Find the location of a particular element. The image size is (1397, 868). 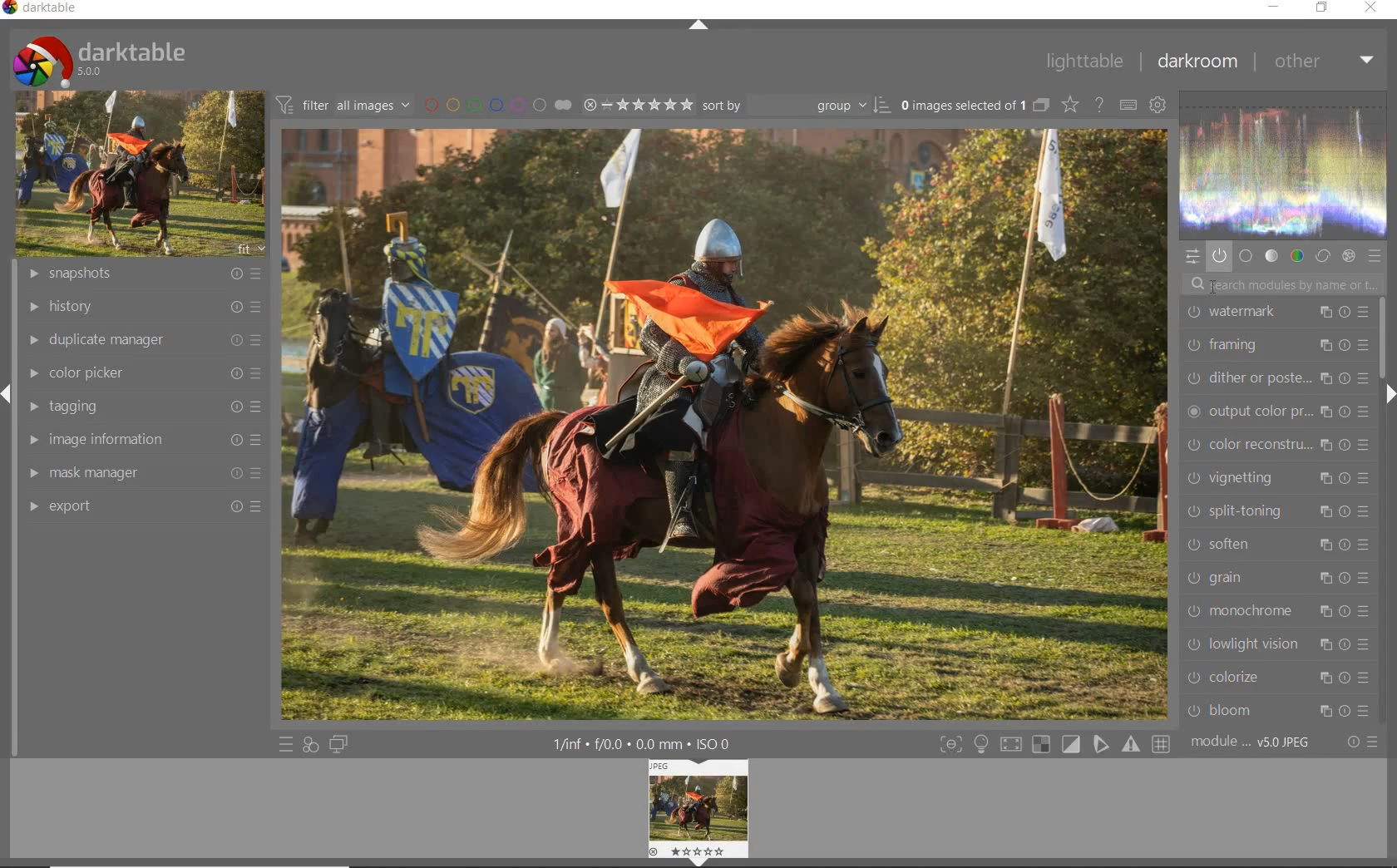

search modules is located at coordinates (1283, 284).